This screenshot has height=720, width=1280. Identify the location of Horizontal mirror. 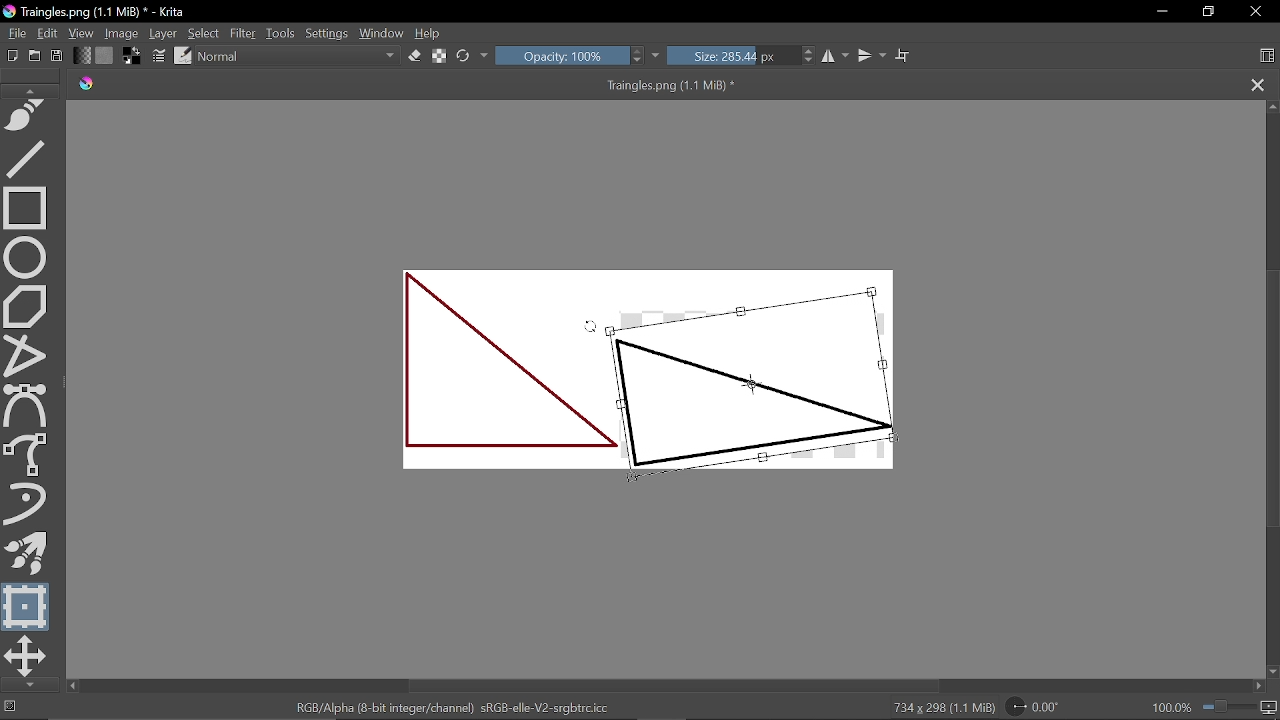
(836, 56).